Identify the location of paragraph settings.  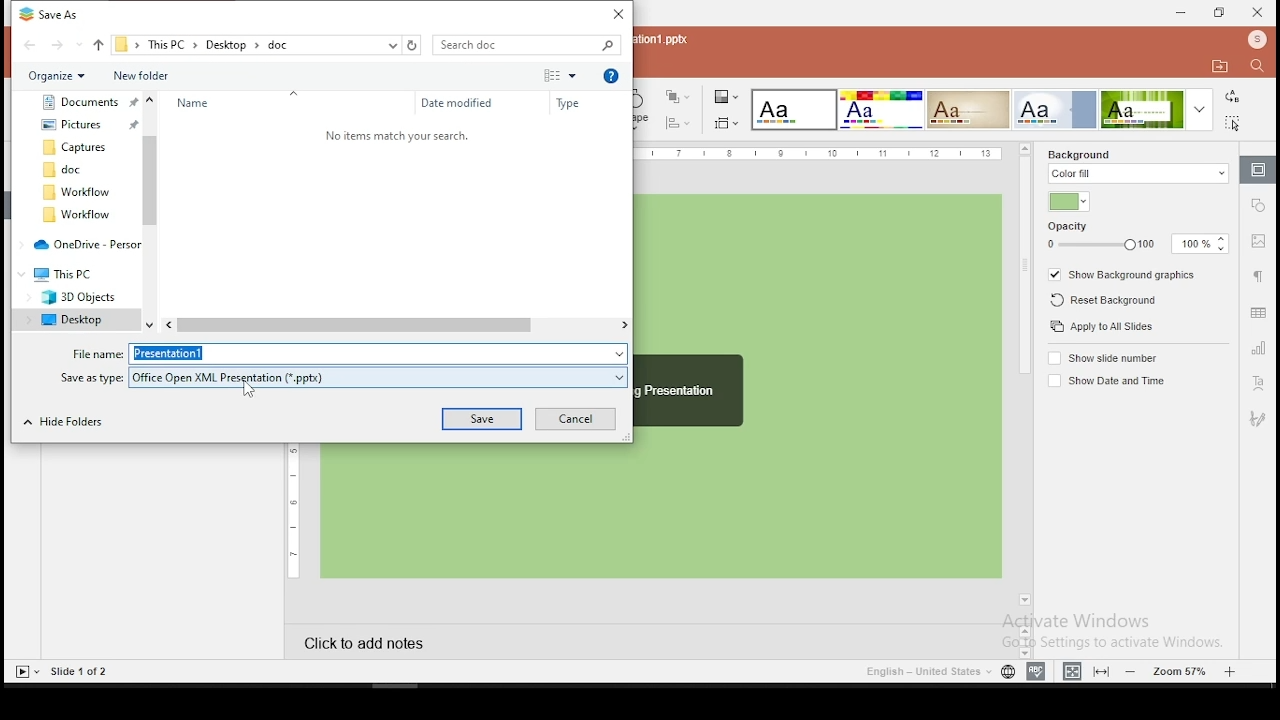
(1260, 280).